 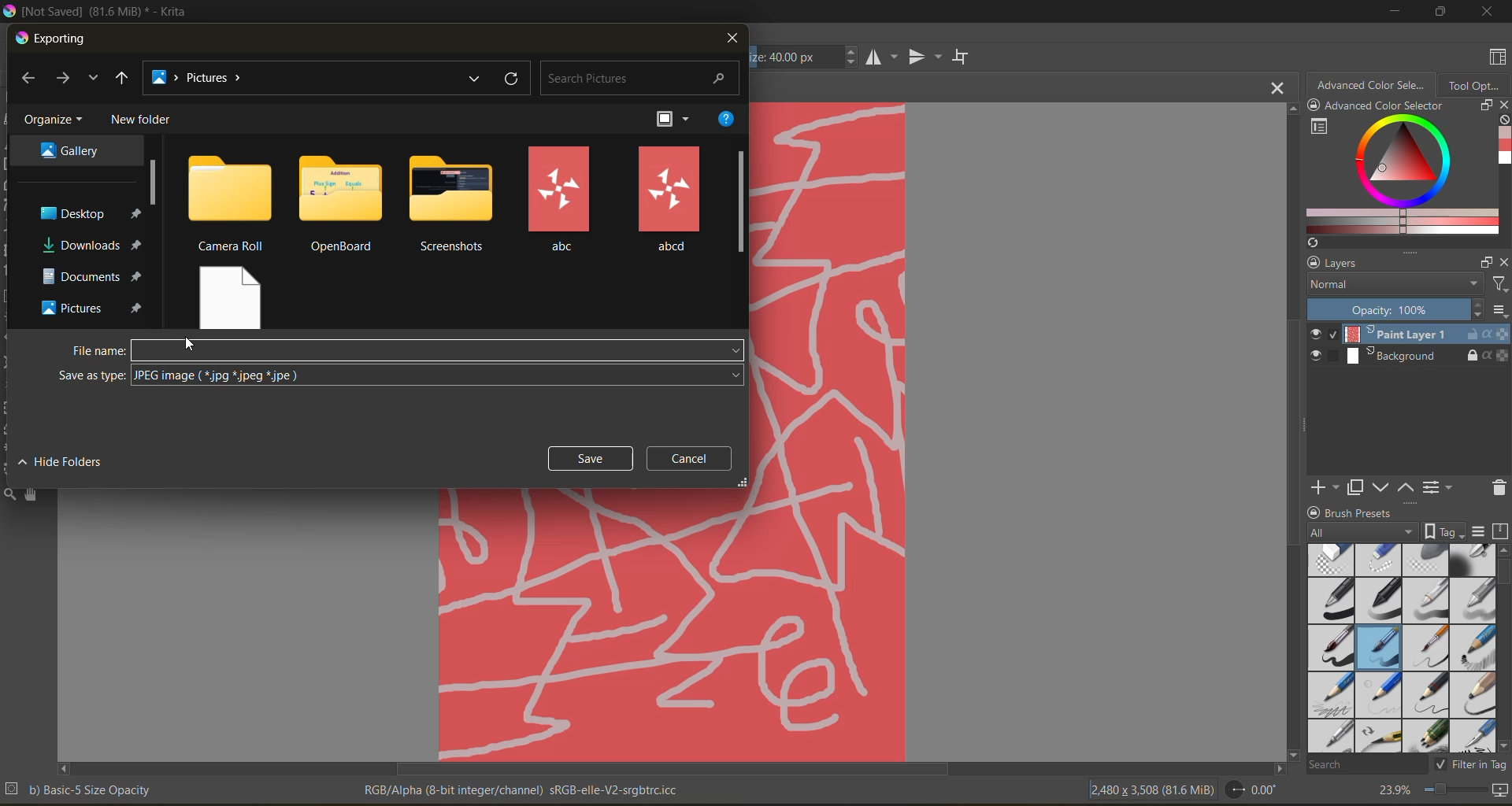 What do you see at coordinates (1442, 531) in the screenshot?
I see `show tag` at bounding box center [1442, 531].